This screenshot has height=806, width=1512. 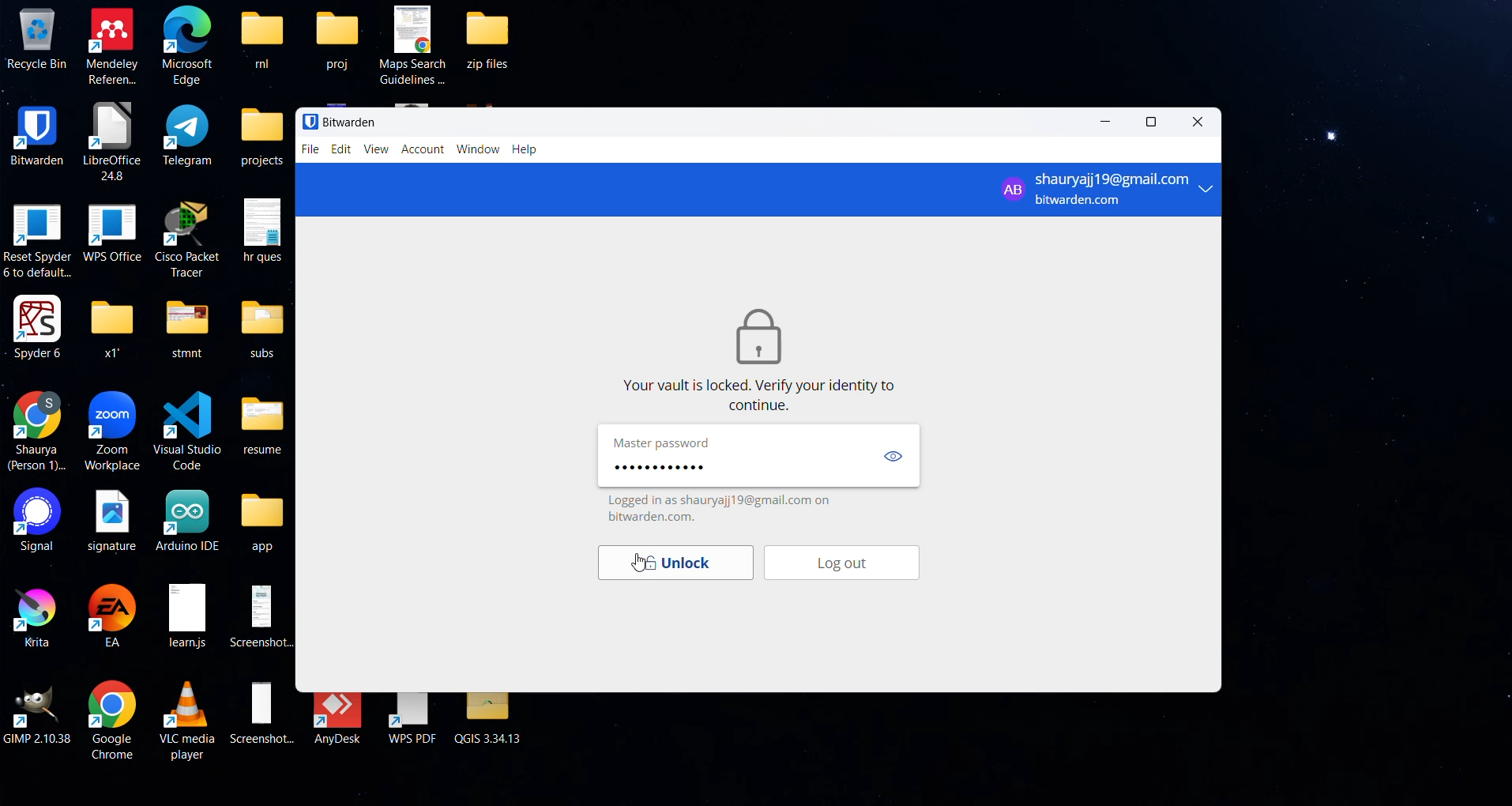 What do you see at coordinates (479, 150) in the screenshot?
I see `window` at bounding box center [479, 150].